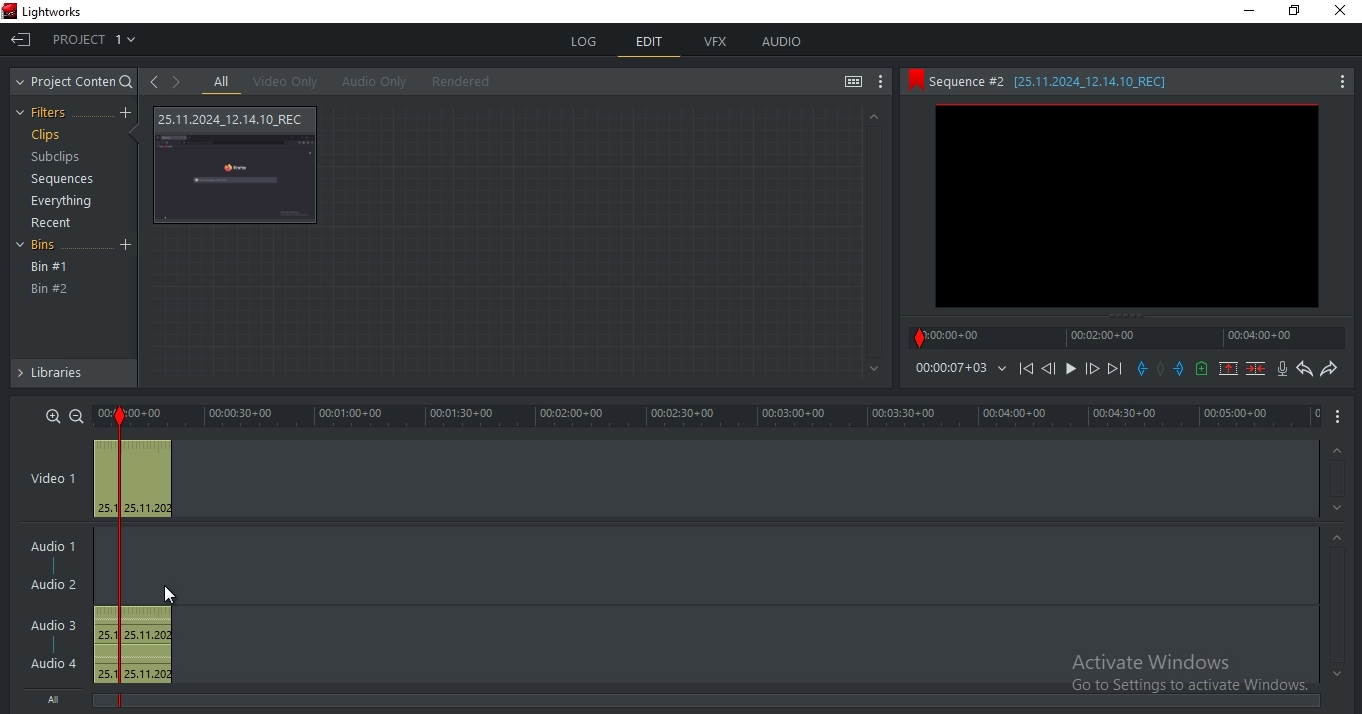 Image resolution: width=1362 pixels, height=714 pixels. What do you see at coordinates (50, 289) in the screenshot?
I see `bin #2` at bounding box center [50, 289].